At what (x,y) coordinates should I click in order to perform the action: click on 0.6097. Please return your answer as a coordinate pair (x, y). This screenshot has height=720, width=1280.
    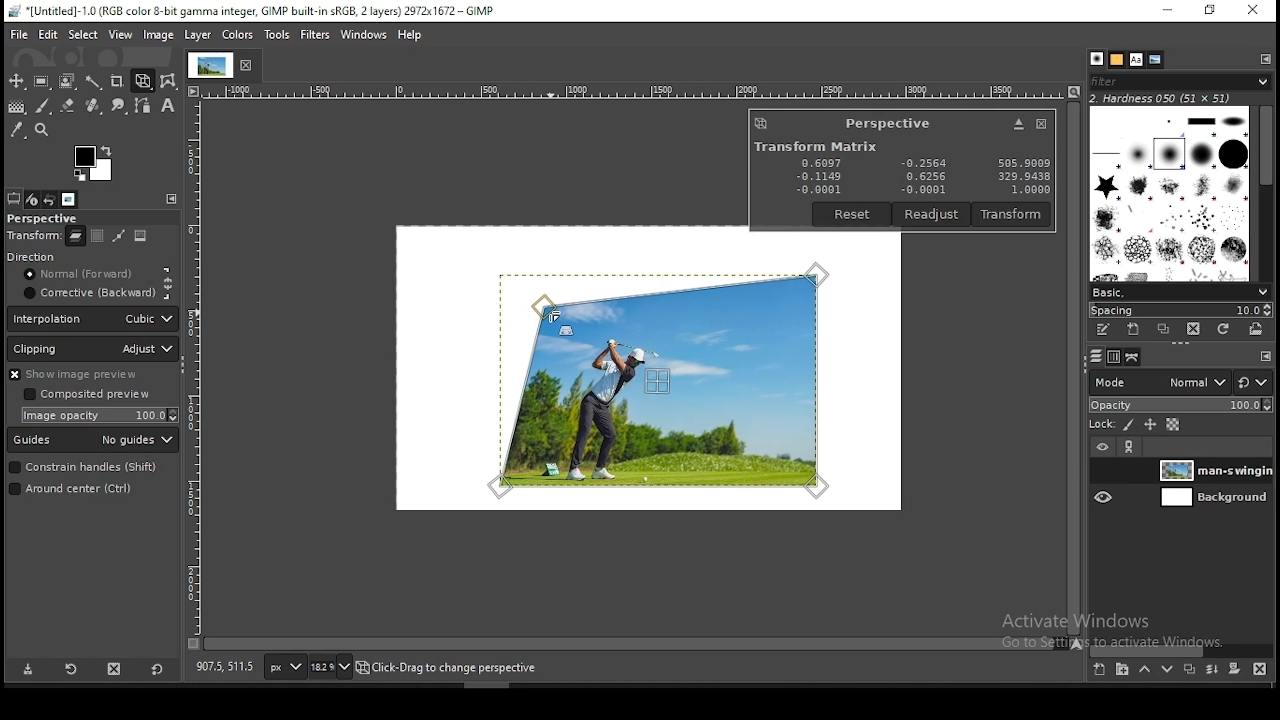
    Looking at the image, I should click on (823, 161).